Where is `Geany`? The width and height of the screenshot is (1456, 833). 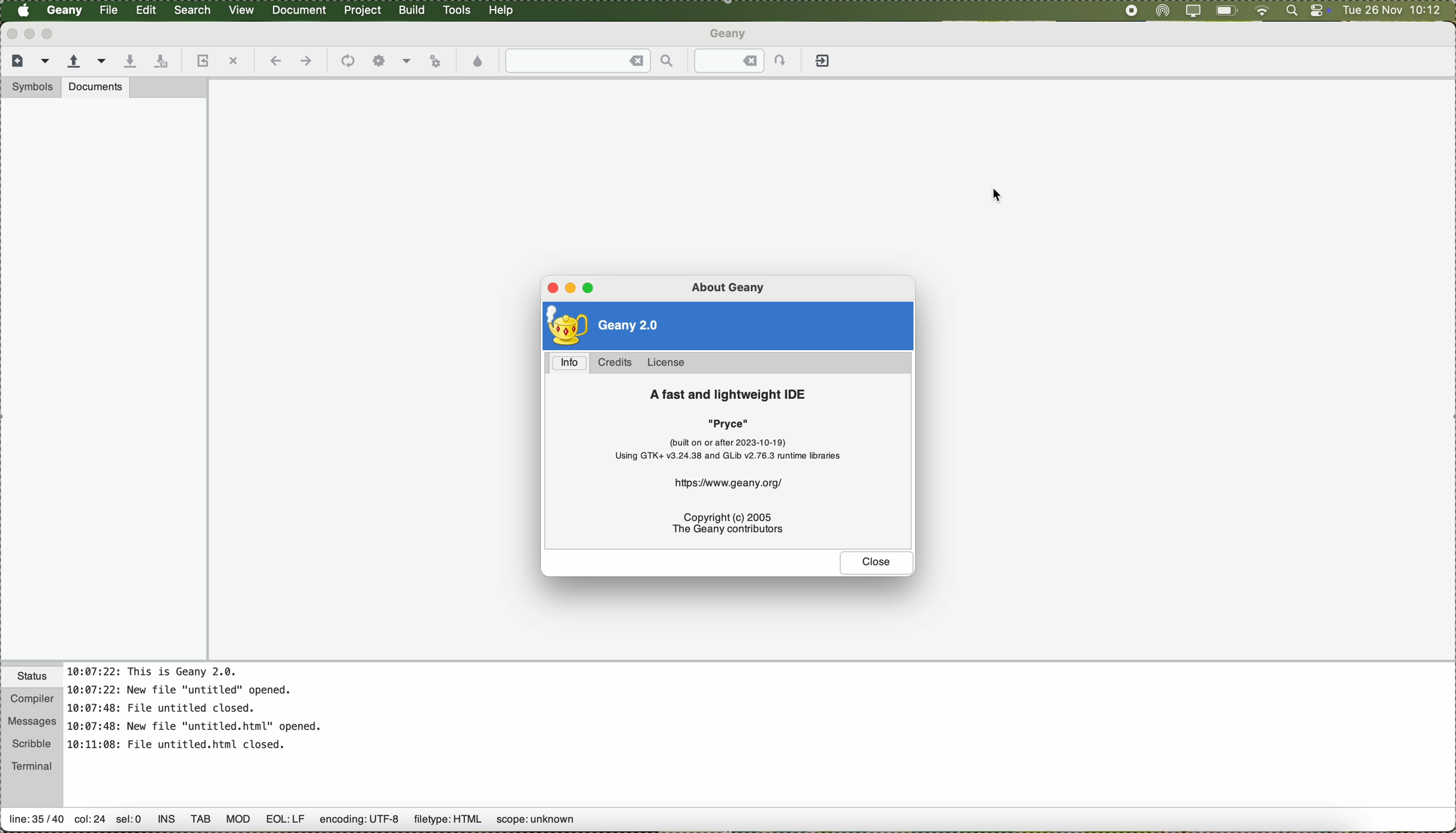
Geany is located at coordinates (730, 33).